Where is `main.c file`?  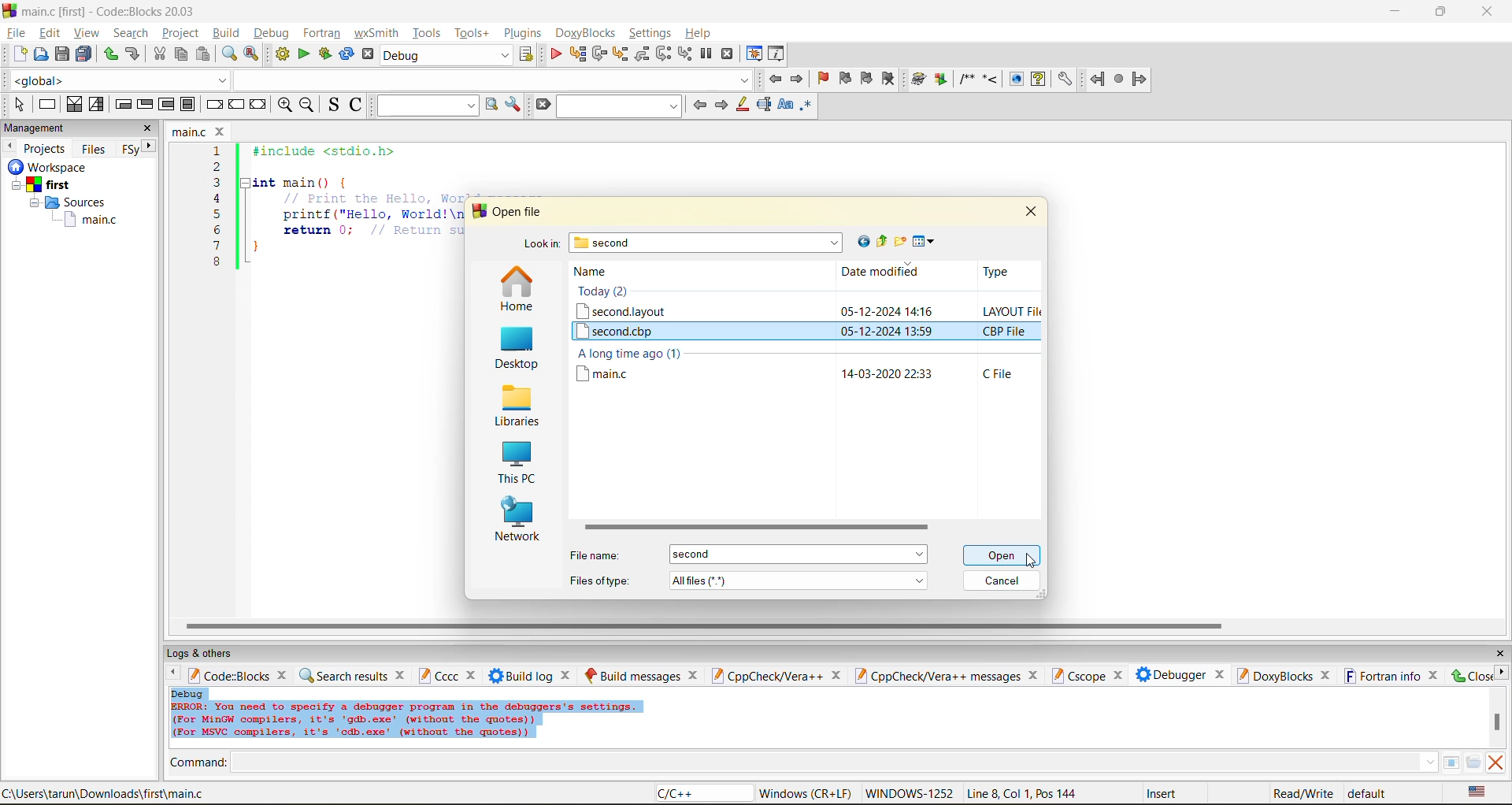 main.c file is located at coordinates (609, 373).